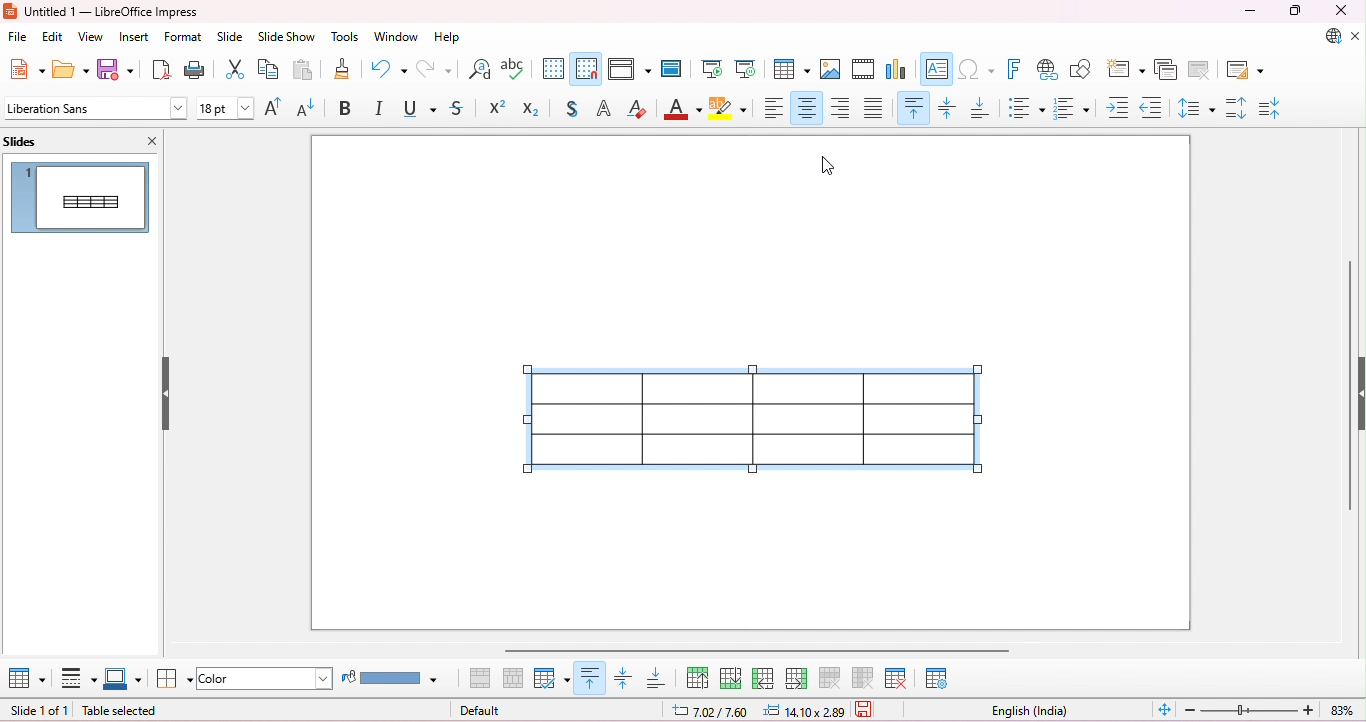 This screenshot has height=722, width=1366. I want to click on table properties, so click(937, 677).